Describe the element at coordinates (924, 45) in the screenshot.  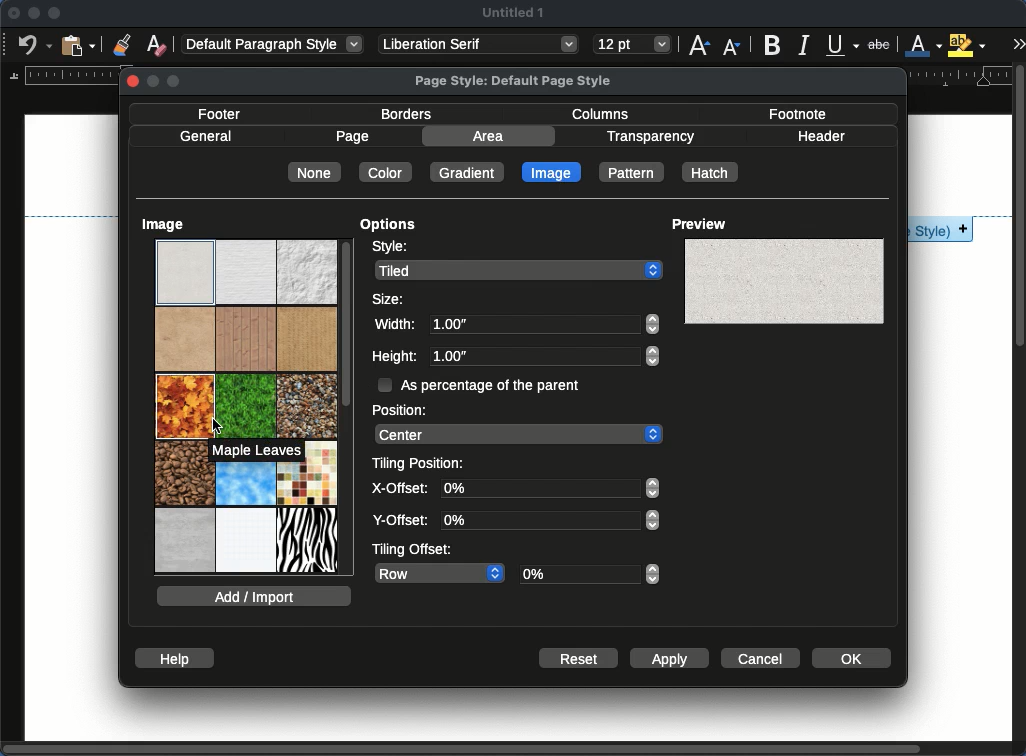
I see `text color` at that location.